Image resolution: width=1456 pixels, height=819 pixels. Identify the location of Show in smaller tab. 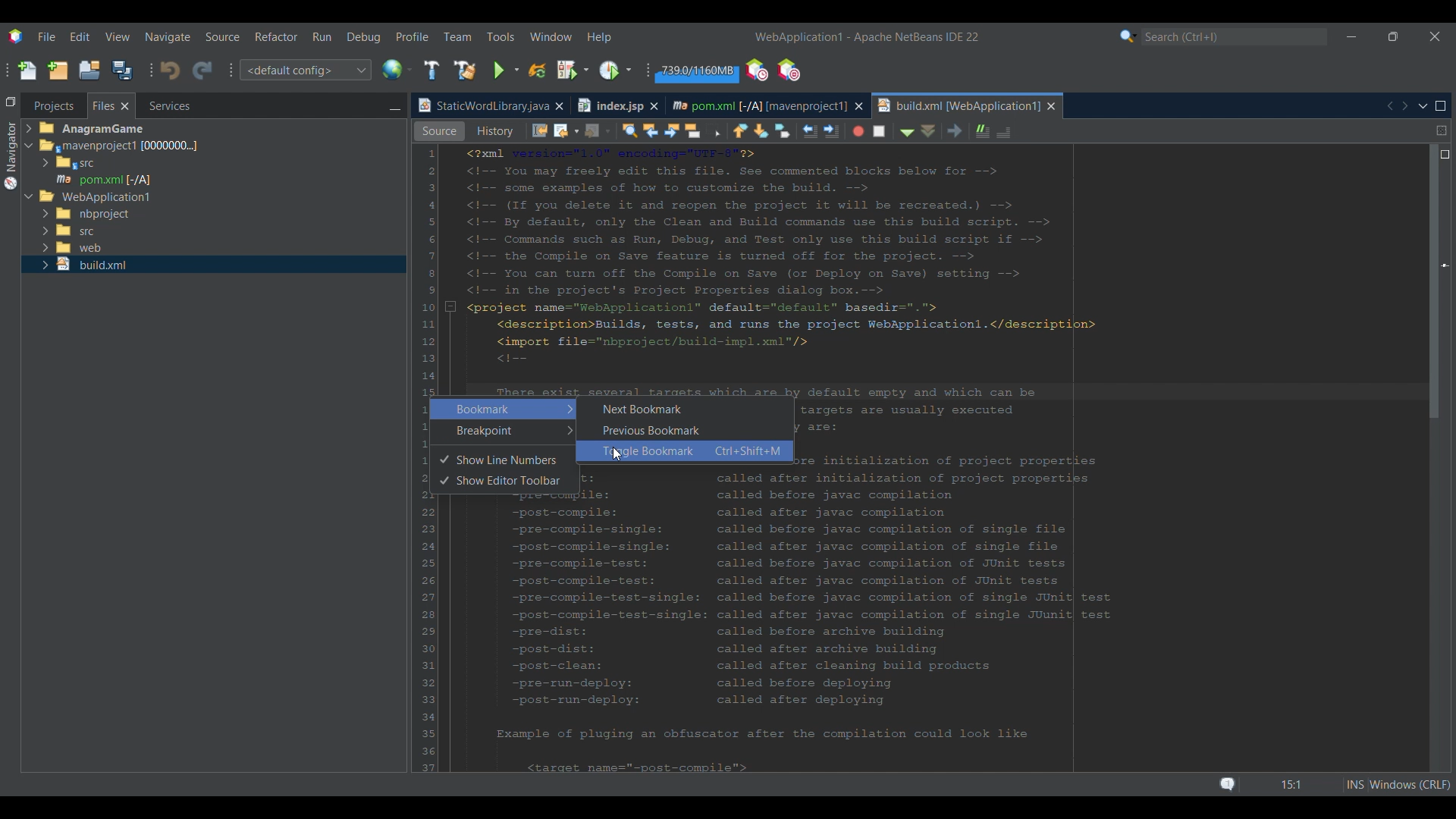
(1393, 36).